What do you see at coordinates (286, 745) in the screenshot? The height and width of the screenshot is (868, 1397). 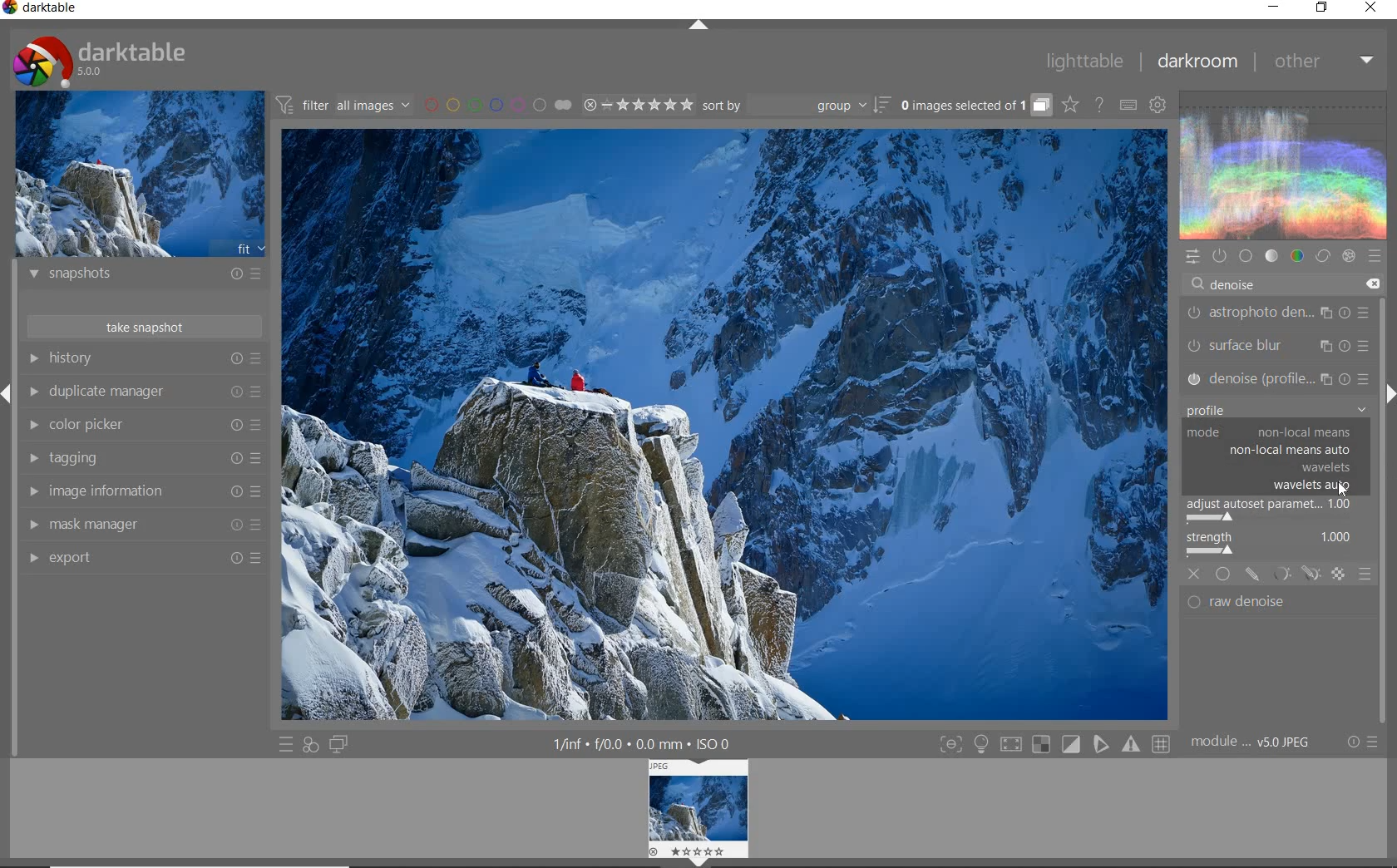 I see `quick access to presets` at bounding box center [286, 745].